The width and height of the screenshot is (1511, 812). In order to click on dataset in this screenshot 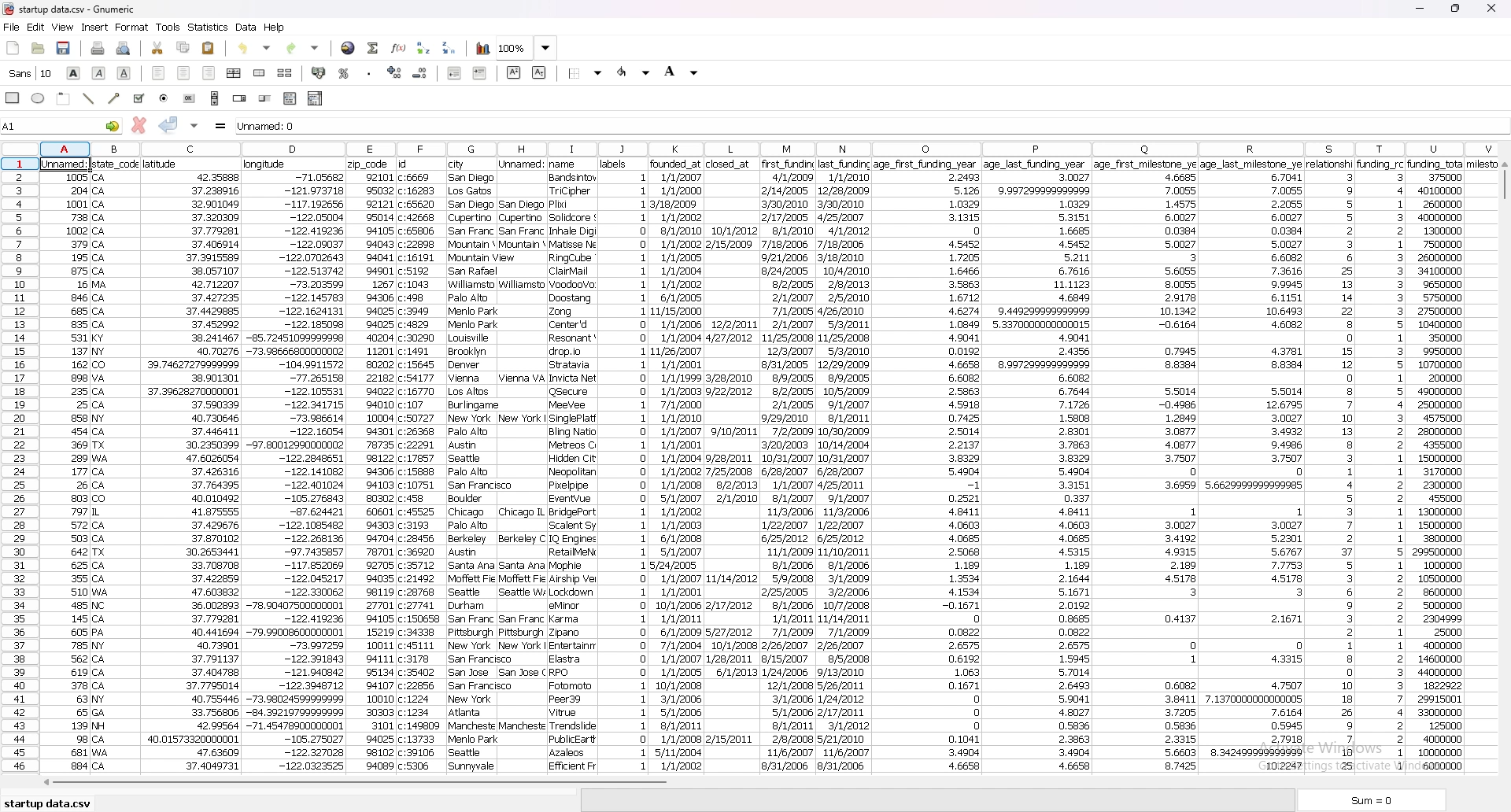, I will do `click(65, 474)`.